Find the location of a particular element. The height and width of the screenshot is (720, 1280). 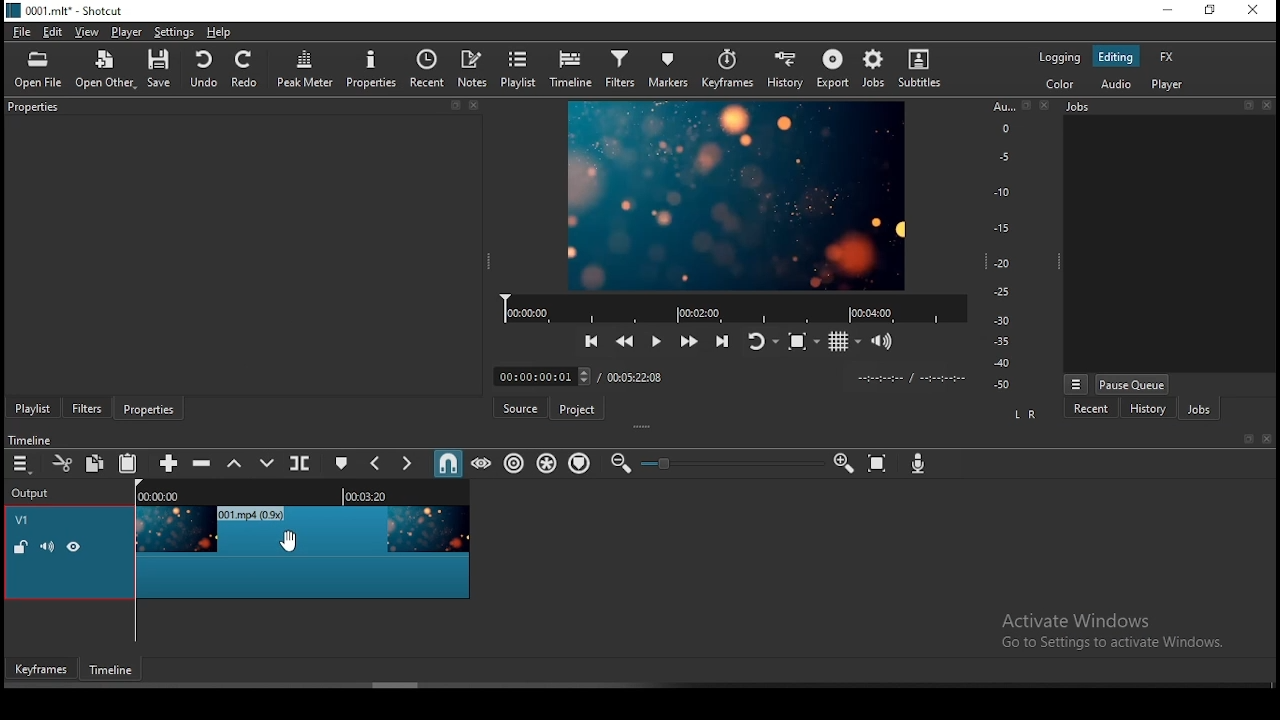

save is located at coordinates (162, 71).